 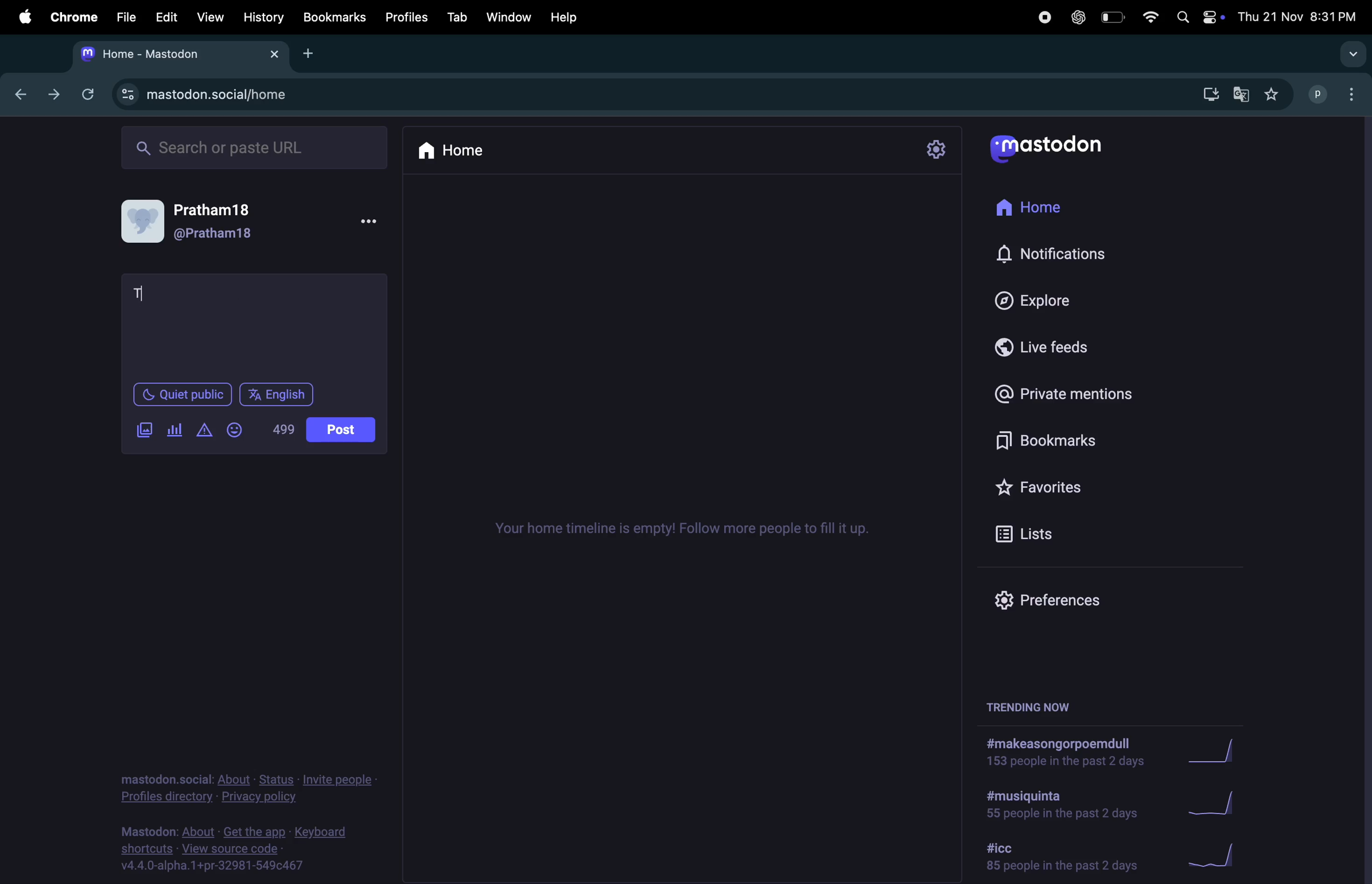 What do you see at coordinates (687, 529) in the screenshot?
I see `time line` at bounding box center [687, 529].